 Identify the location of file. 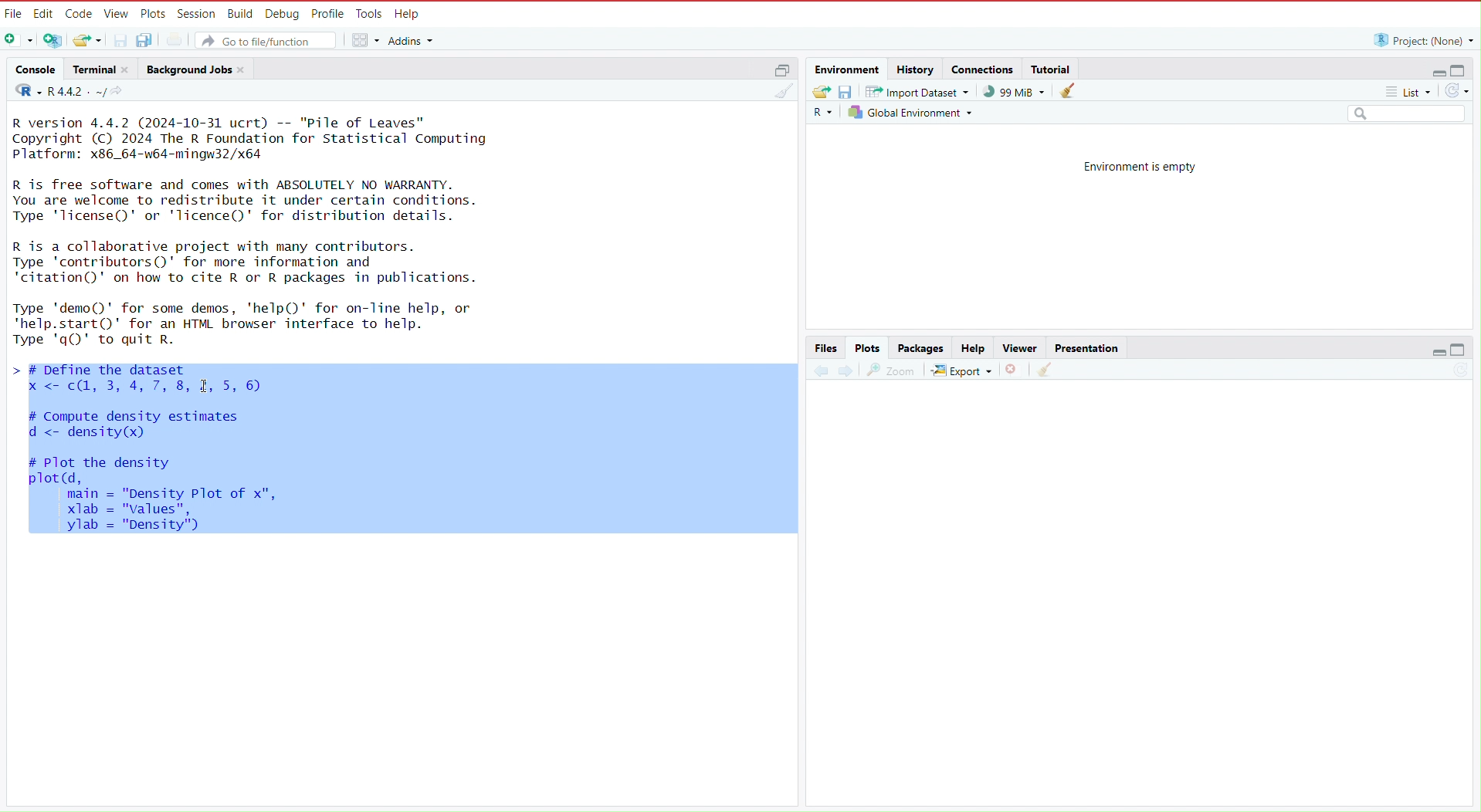
(14, 12).